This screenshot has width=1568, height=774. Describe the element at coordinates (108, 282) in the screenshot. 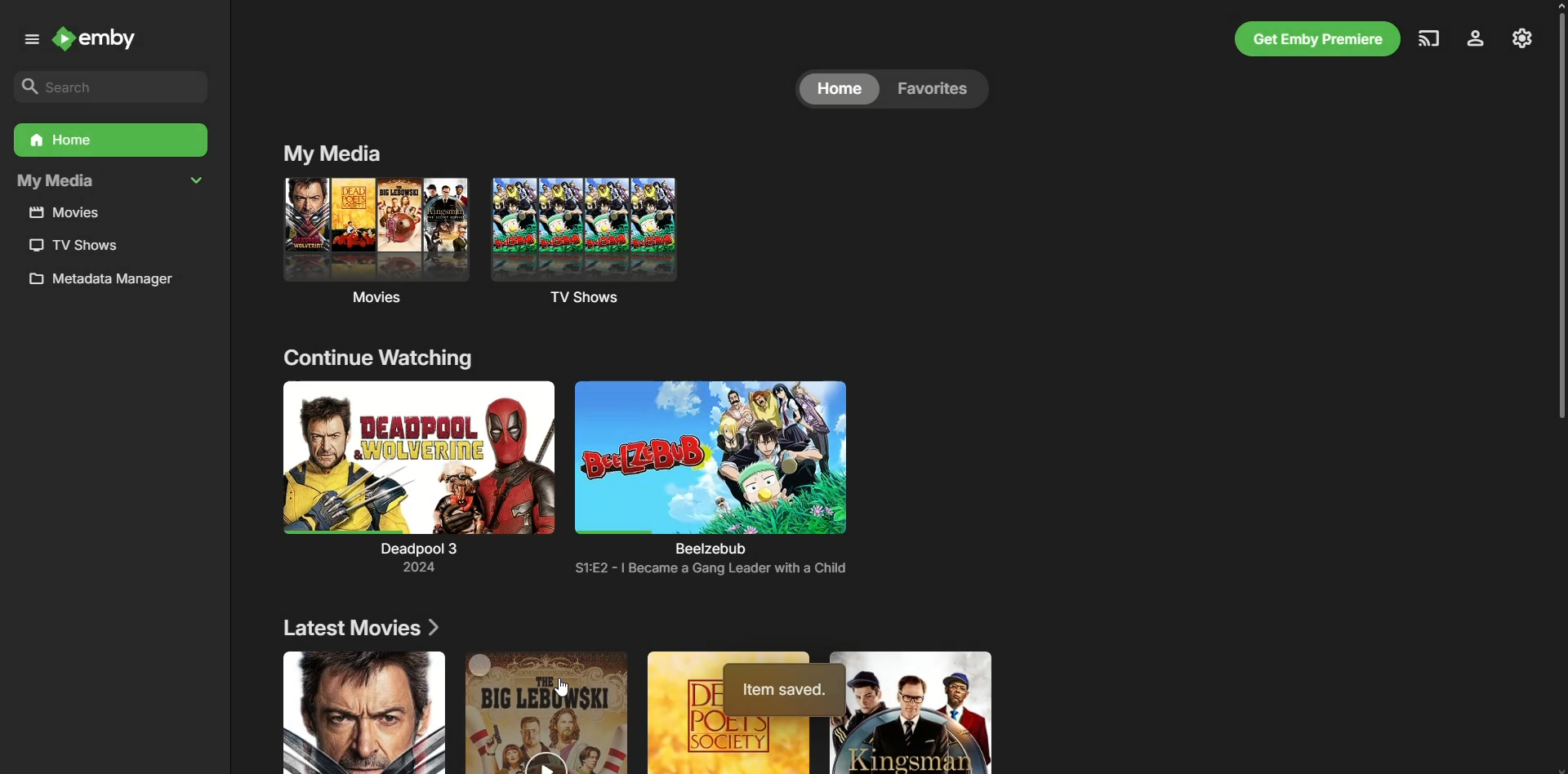

I see `Metadata manager` at that location.